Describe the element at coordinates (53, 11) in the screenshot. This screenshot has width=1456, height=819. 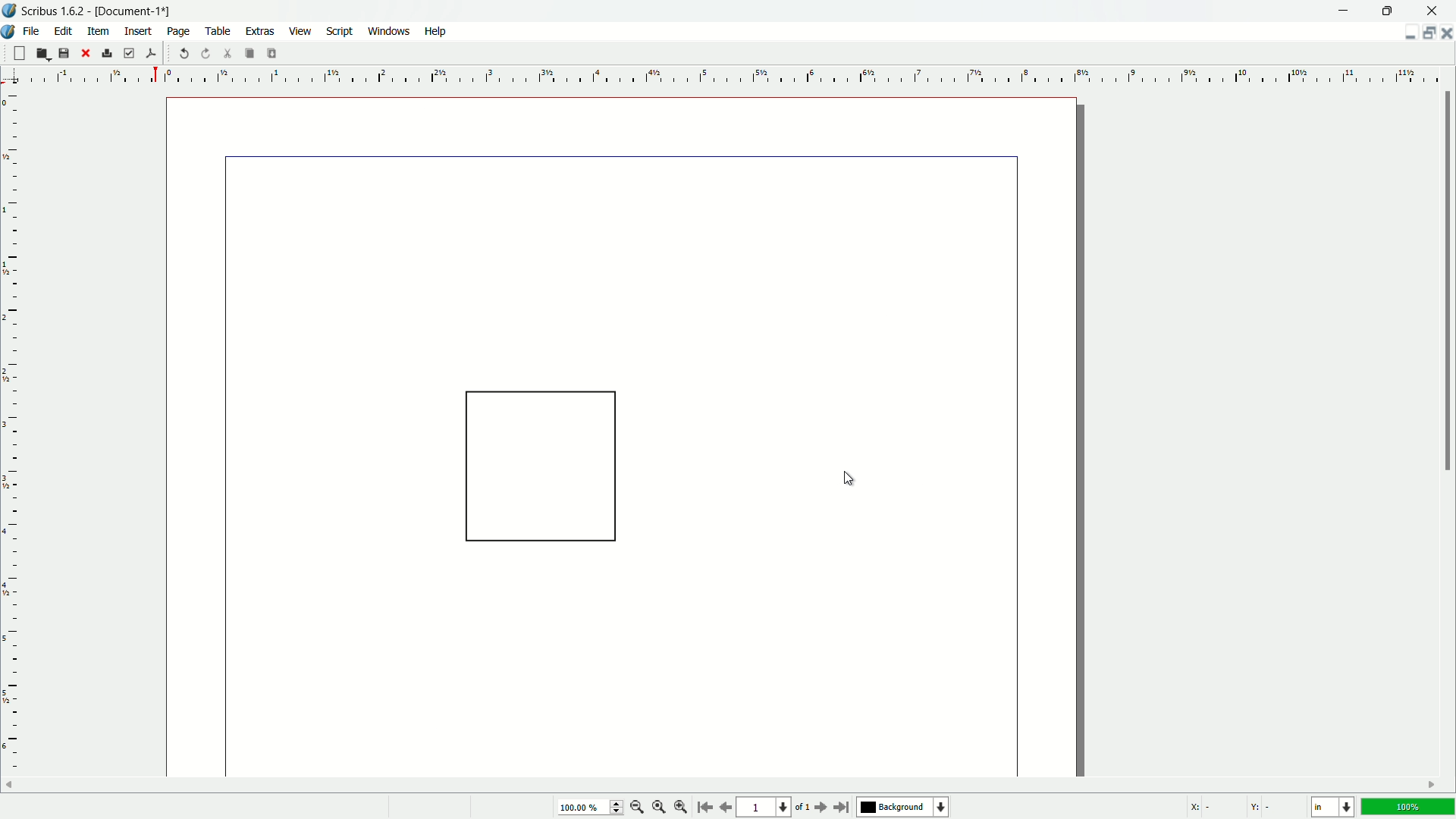
I see `app name` at that location.